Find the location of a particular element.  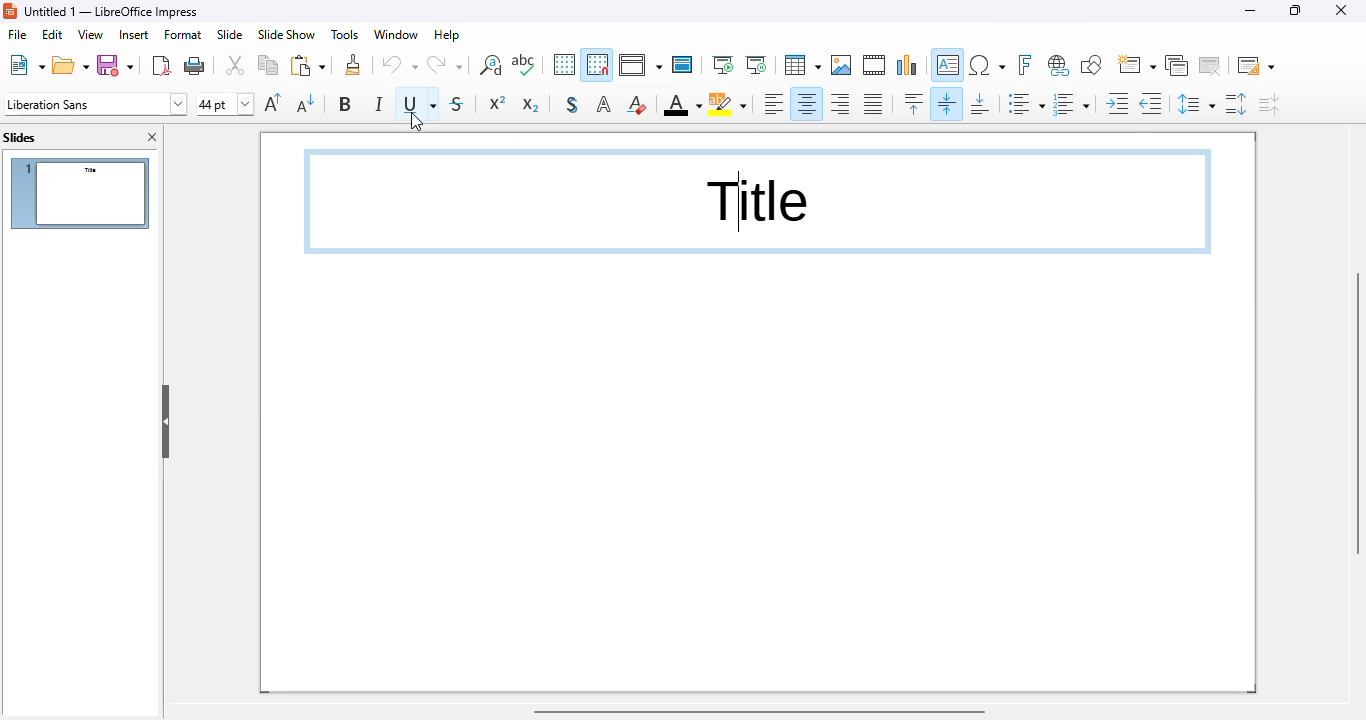

insert hyperlink is located at coordinates (1060, 65).